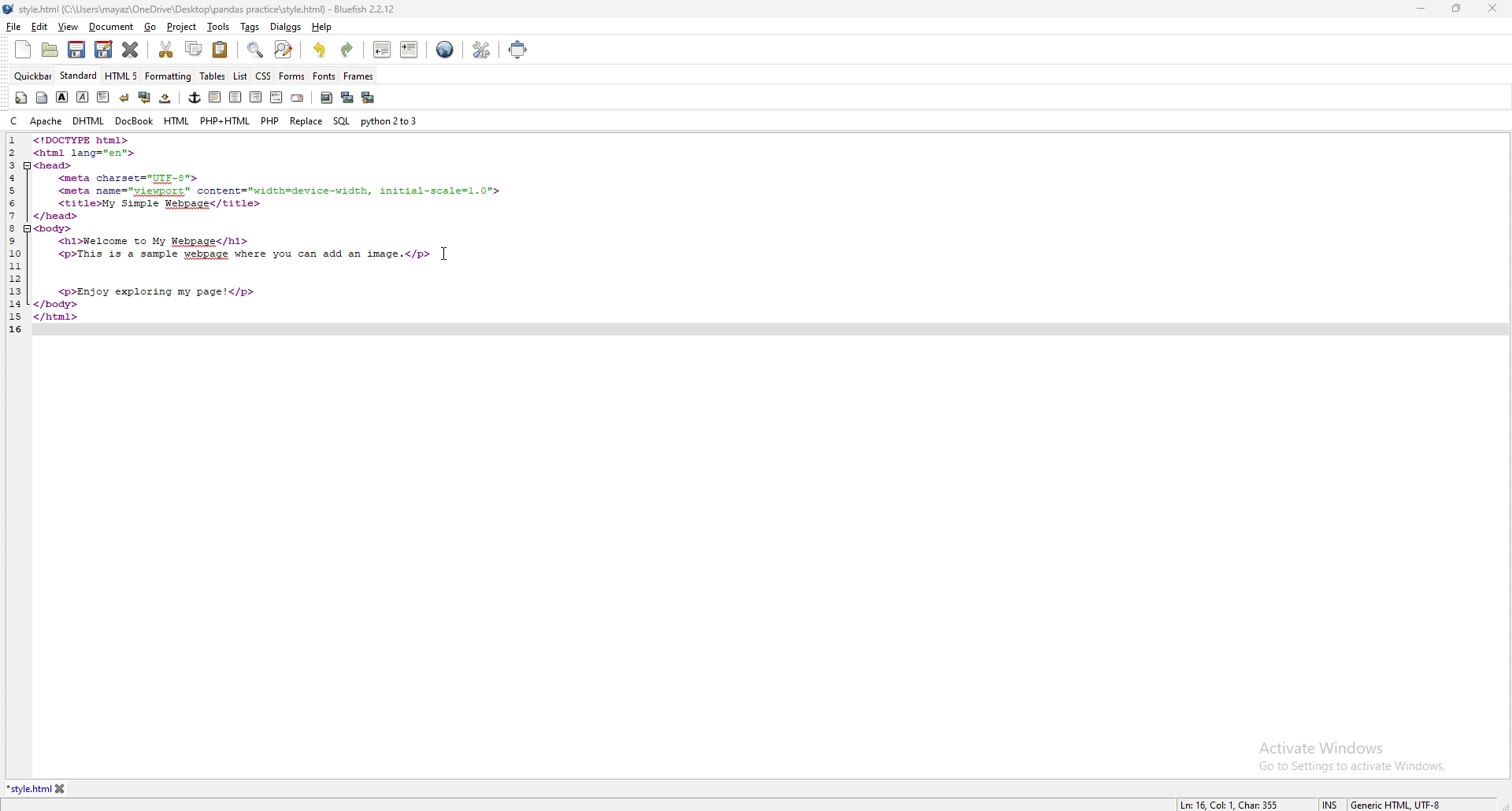 The height and width of the screenshot is (811, 1512). What do you see at coordinates (84, 140) in the screenshot?
I see `<!DOCTYPE html>` at bounding box center [84, 140].